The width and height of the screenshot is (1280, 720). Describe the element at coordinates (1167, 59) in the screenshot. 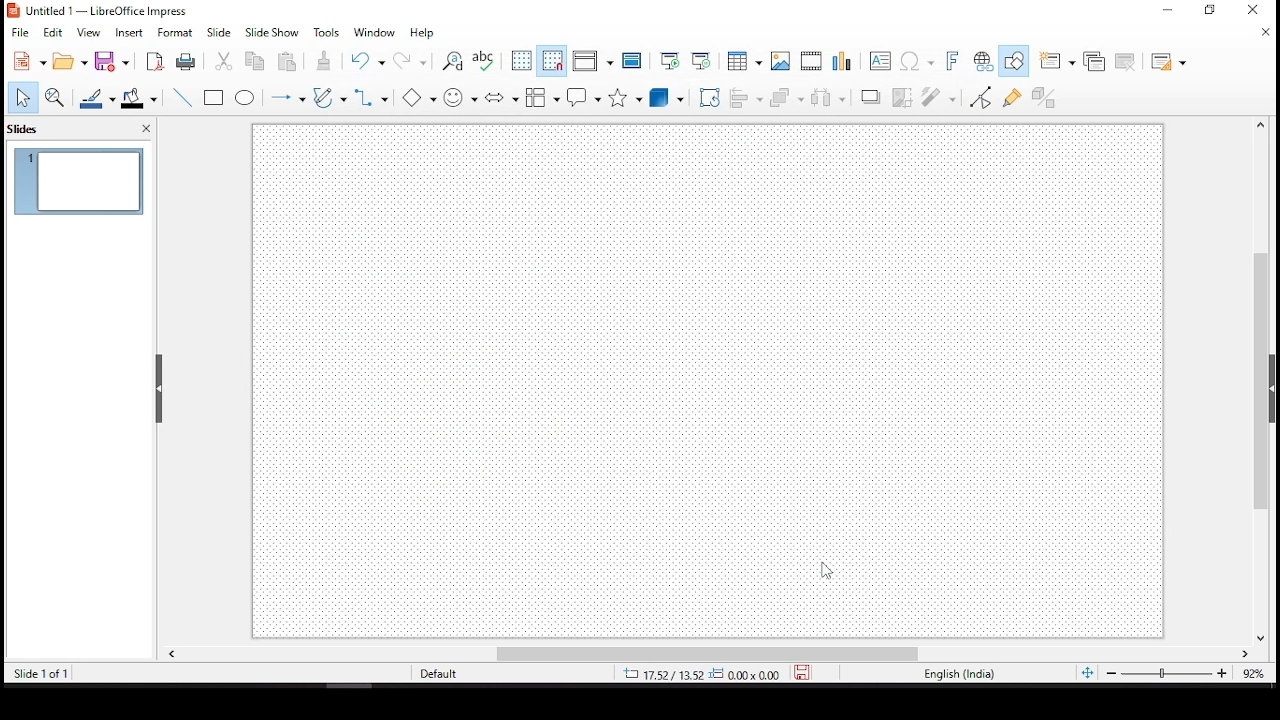

I see `slide layout` at that location.